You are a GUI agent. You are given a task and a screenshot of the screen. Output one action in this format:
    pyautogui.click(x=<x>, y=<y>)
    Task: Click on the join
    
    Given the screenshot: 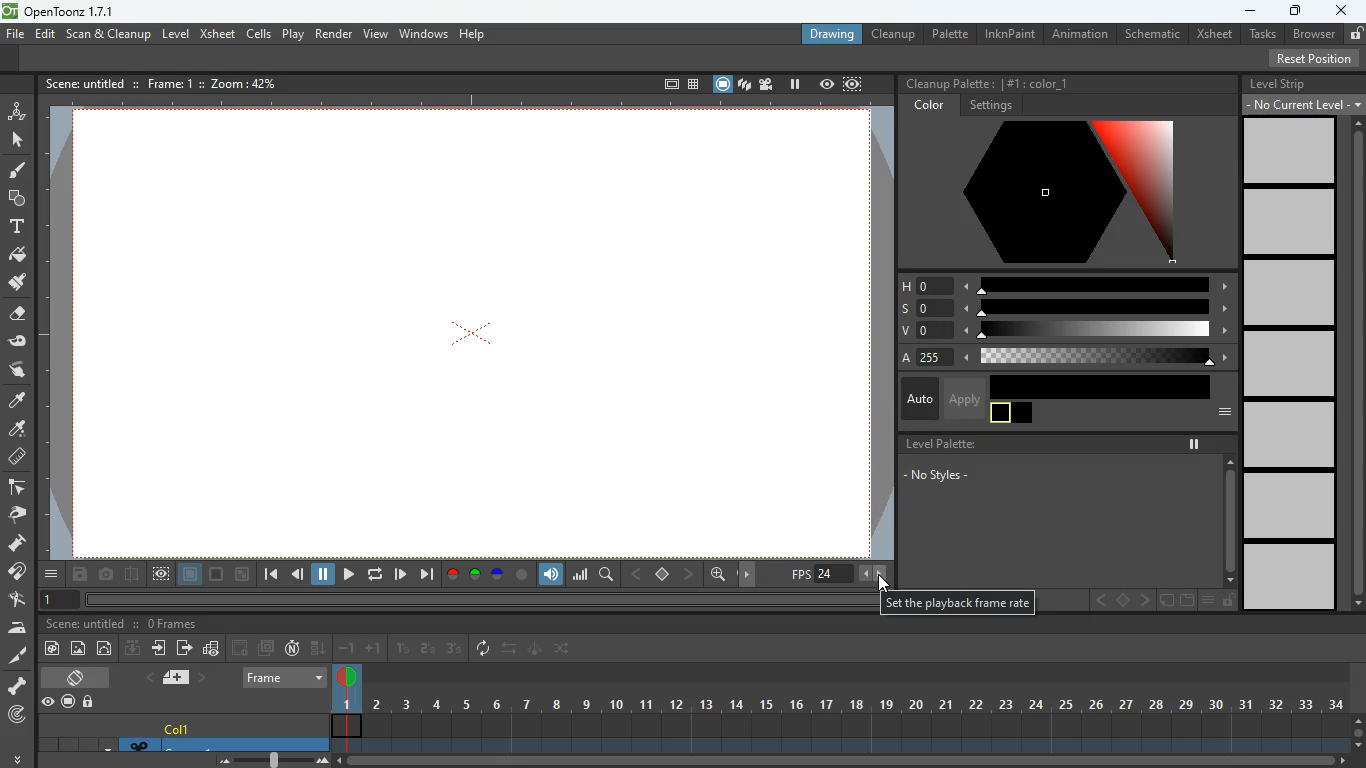 What is the action you would take?
    pyautogui.click(x=16, y=572)
    